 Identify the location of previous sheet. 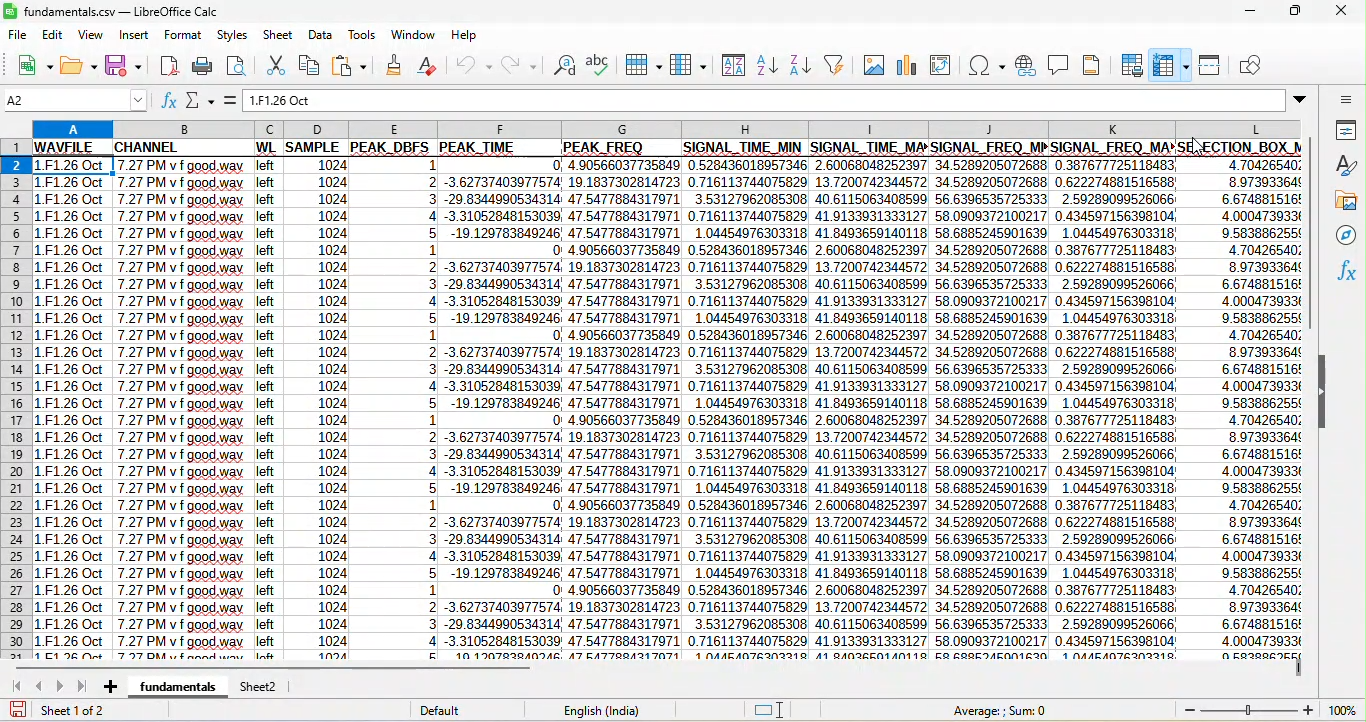
(55, 1024).